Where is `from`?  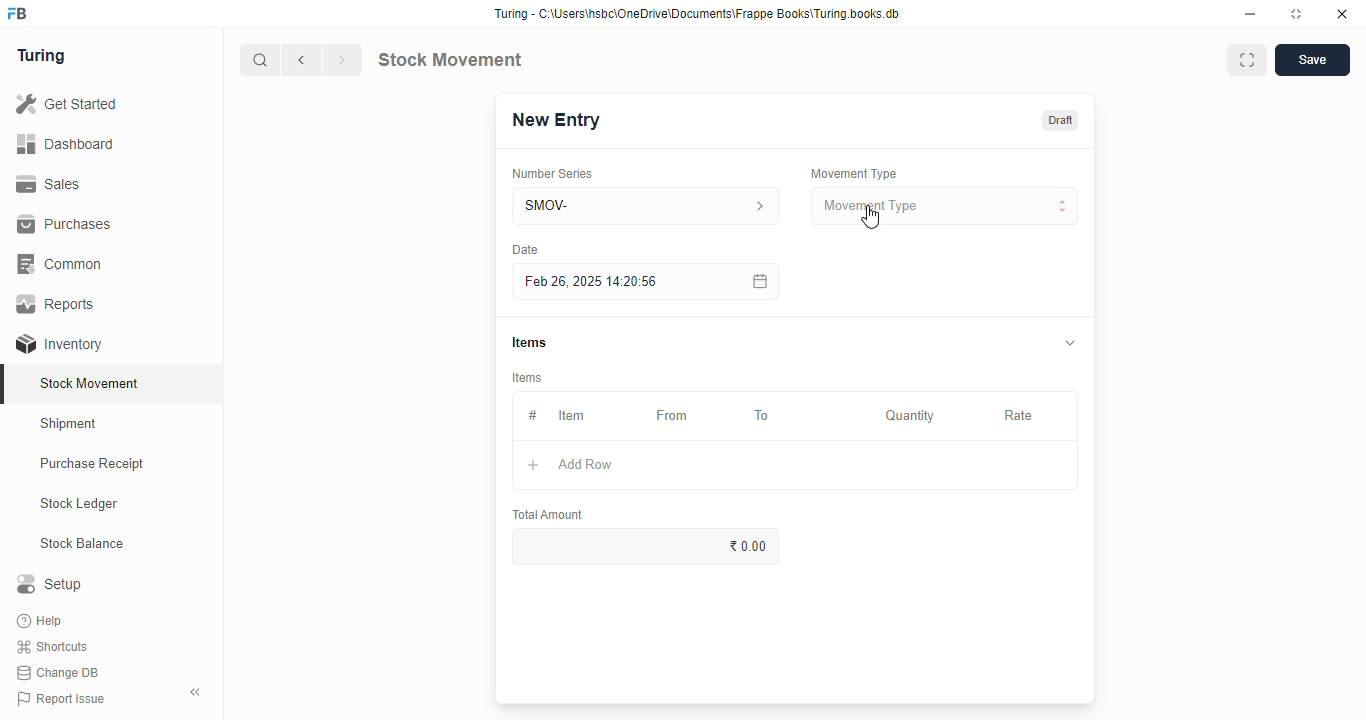 from is located at coordinates (673, 416).